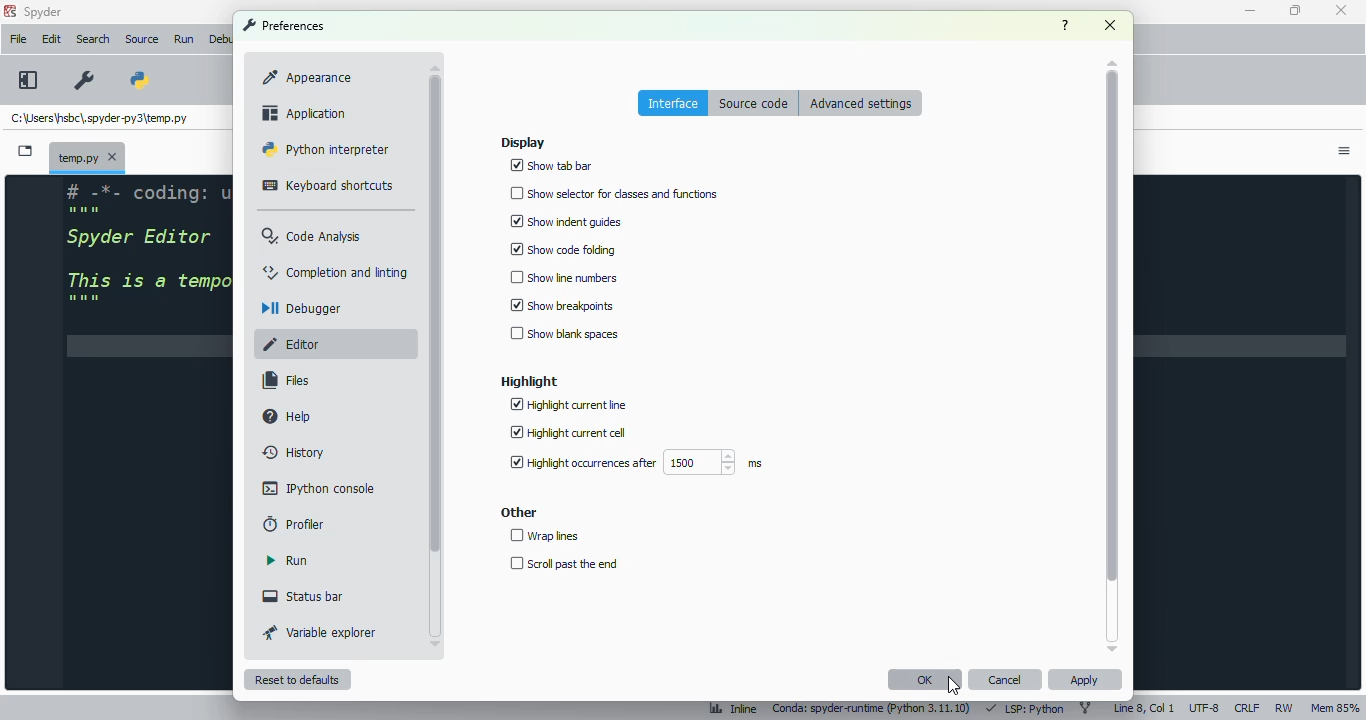 This screenshot has height=720, width=1366. I want to click on status bar, so click(305, 596).